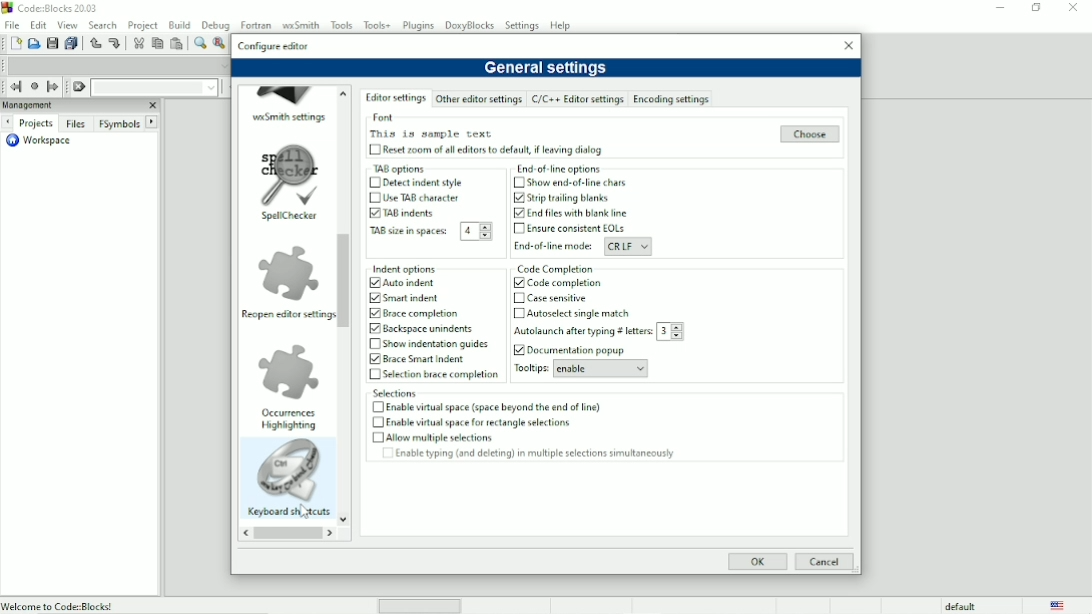 Image resolution: width=1092 pixels, height=614 pixels. Describe the element at coordinates (377, 25) in the screenshot. I see `Tools+` at that location.